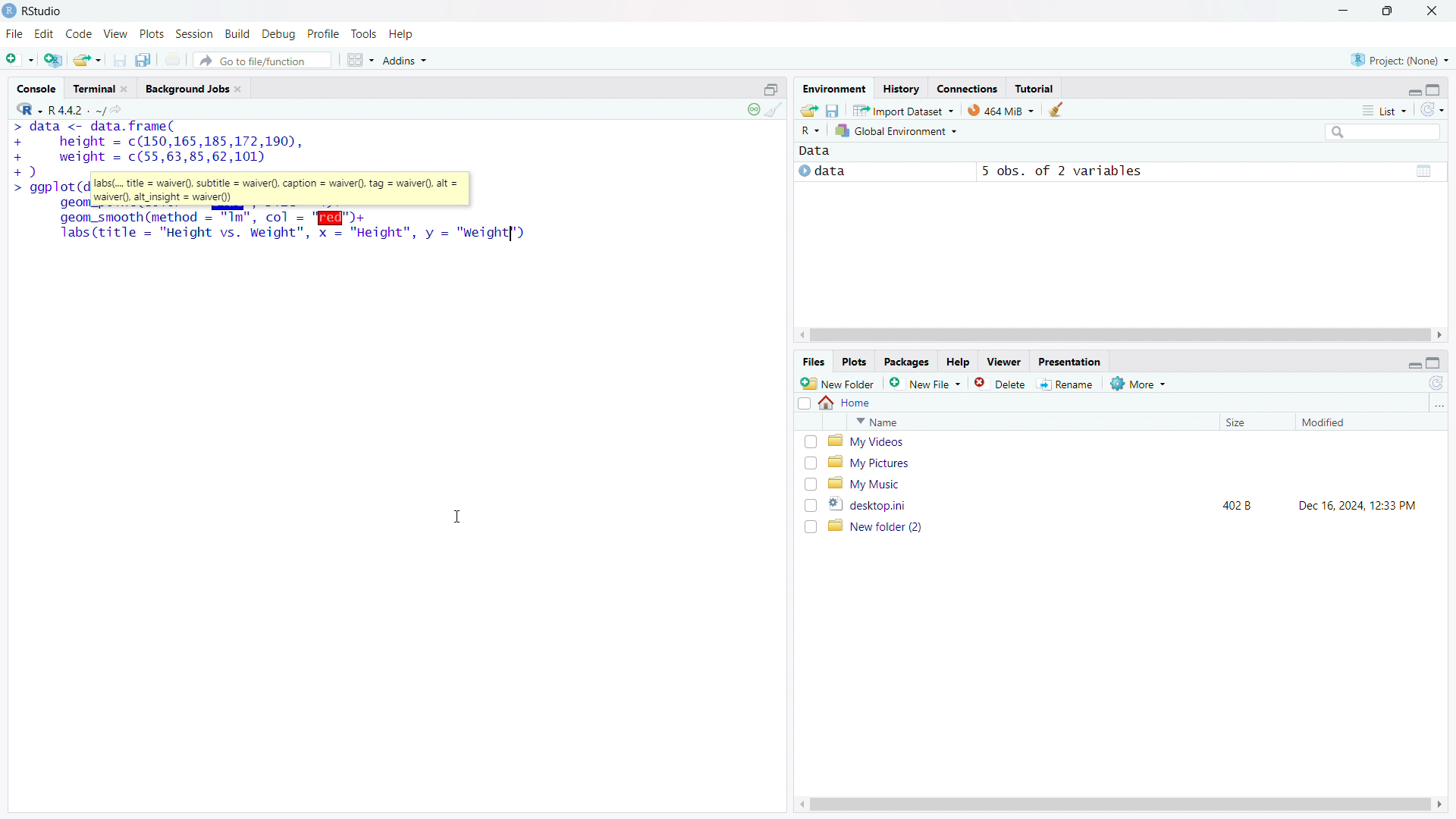  What do you see at coordinates (809, 109) in the screenshot?
I see `load workspace` at bounding box center [809, 109].